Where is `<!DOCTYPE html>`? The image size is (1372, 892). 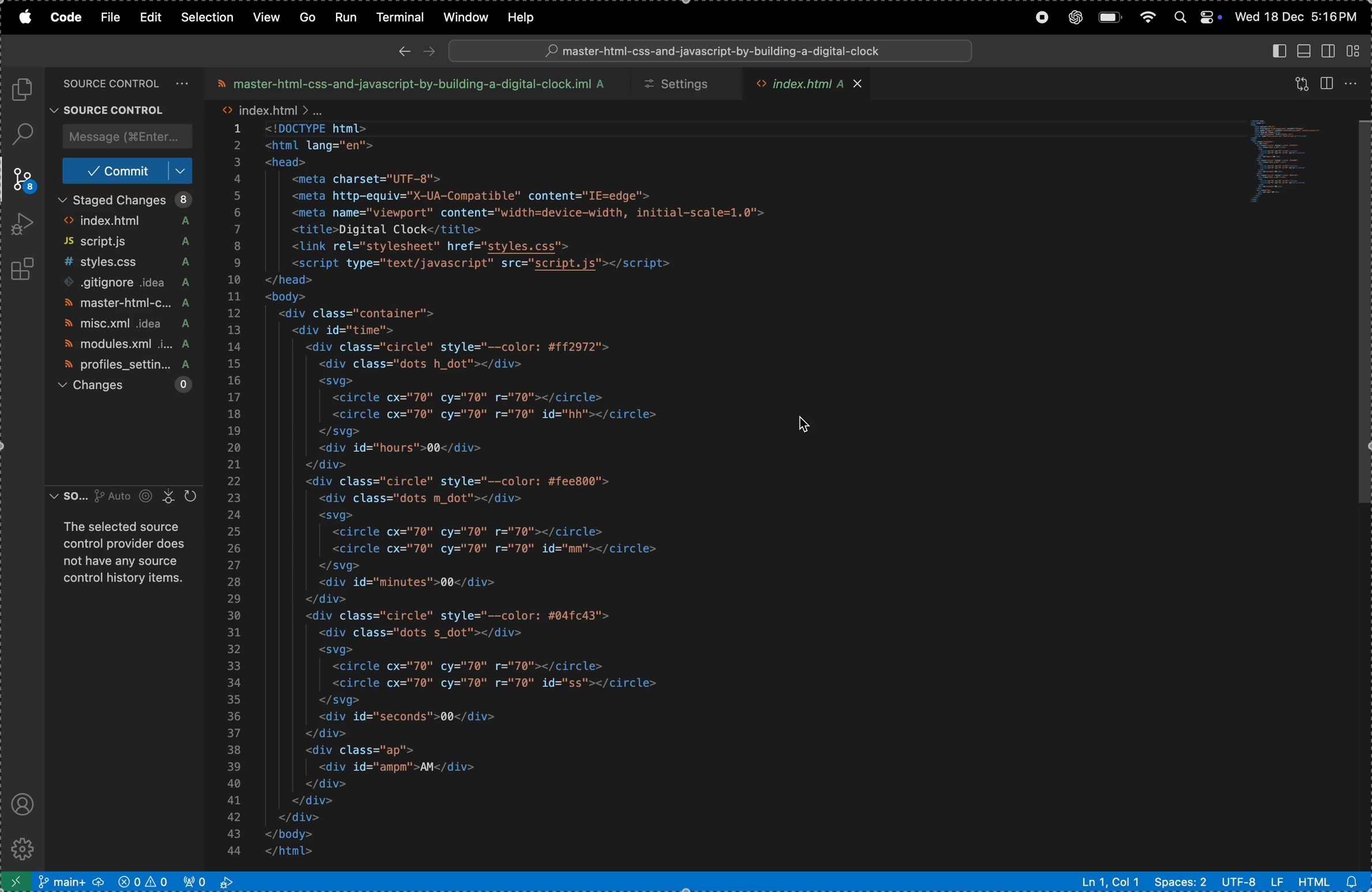 <!DOCTYPE html> is located at coordinates (328, 128).